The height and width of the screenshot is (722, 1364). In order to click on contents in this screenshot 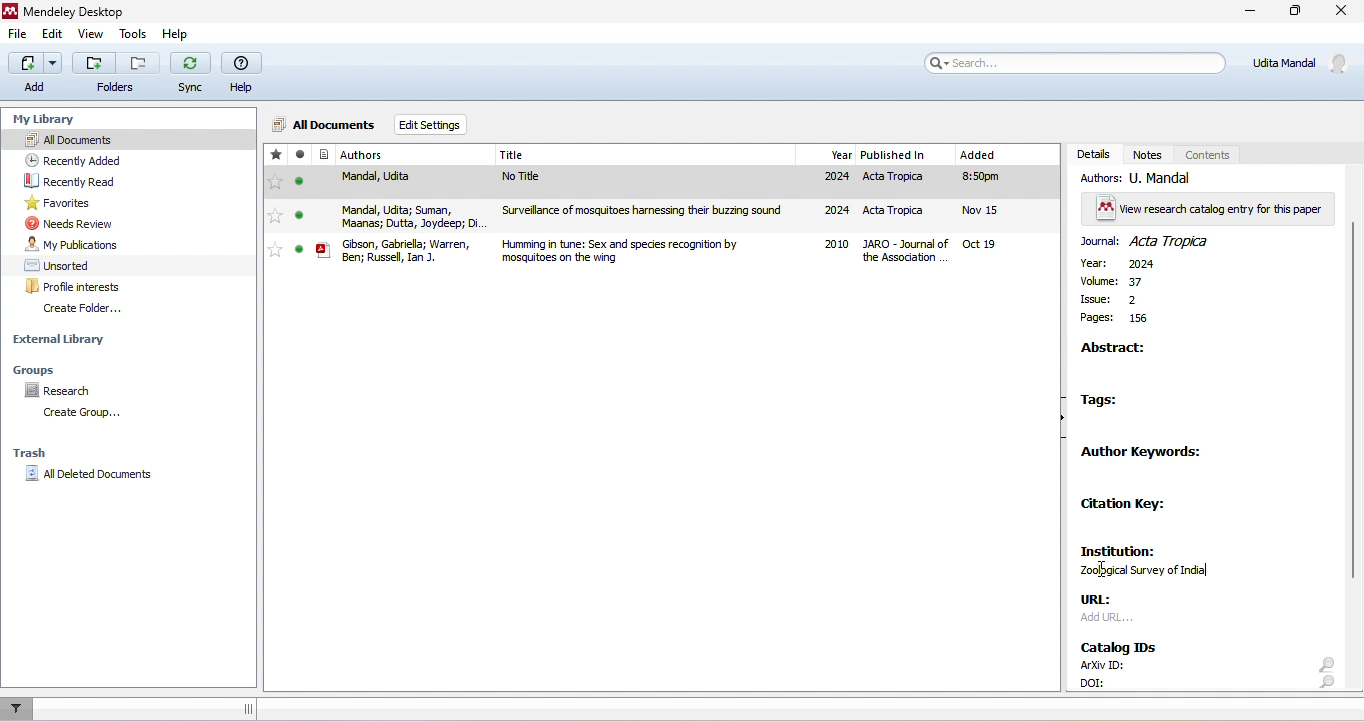, I will do `click(1208, 153)`.